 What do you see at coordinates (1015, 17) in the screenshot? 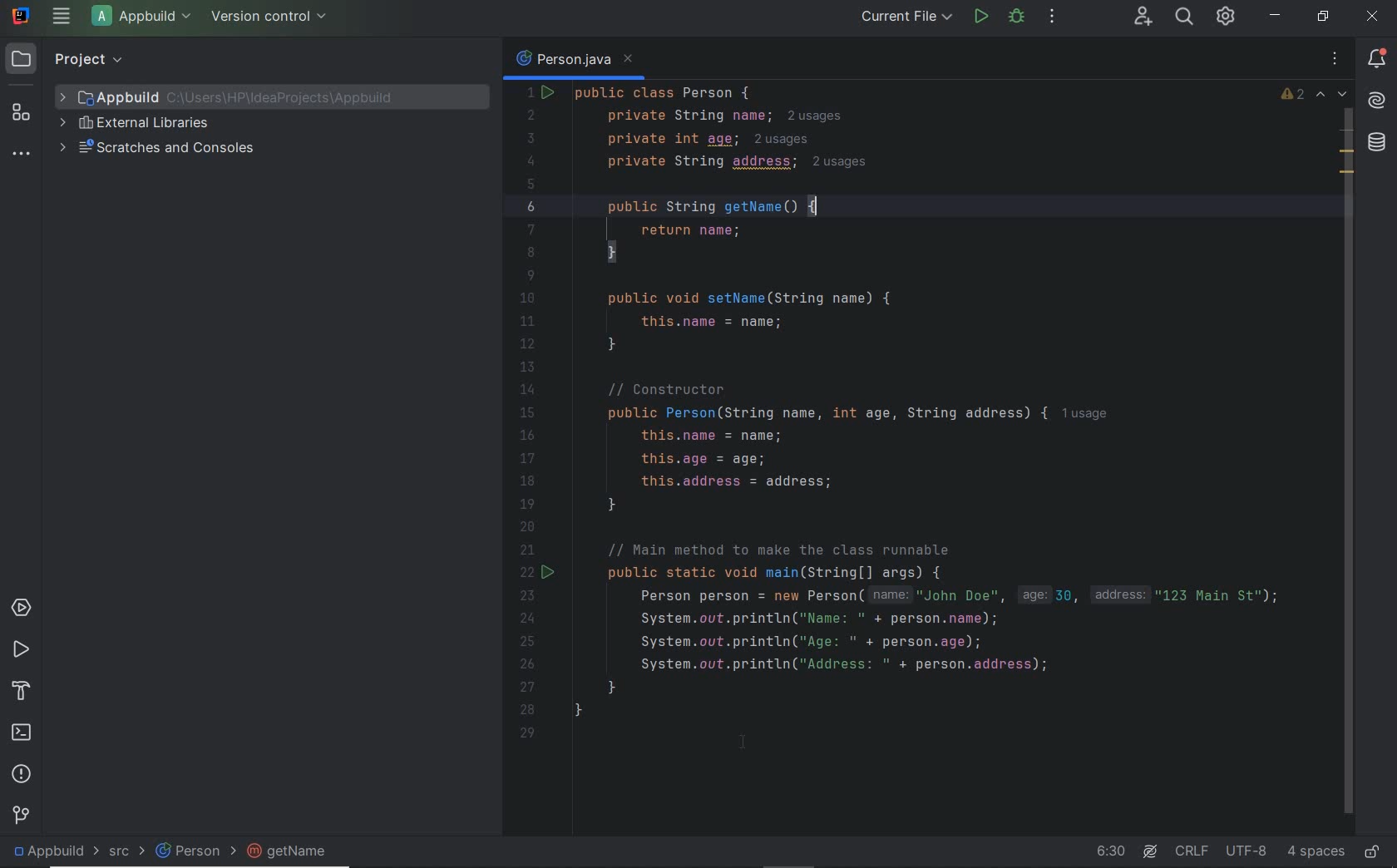
I see `debug` at bounding box center [1015, 17].